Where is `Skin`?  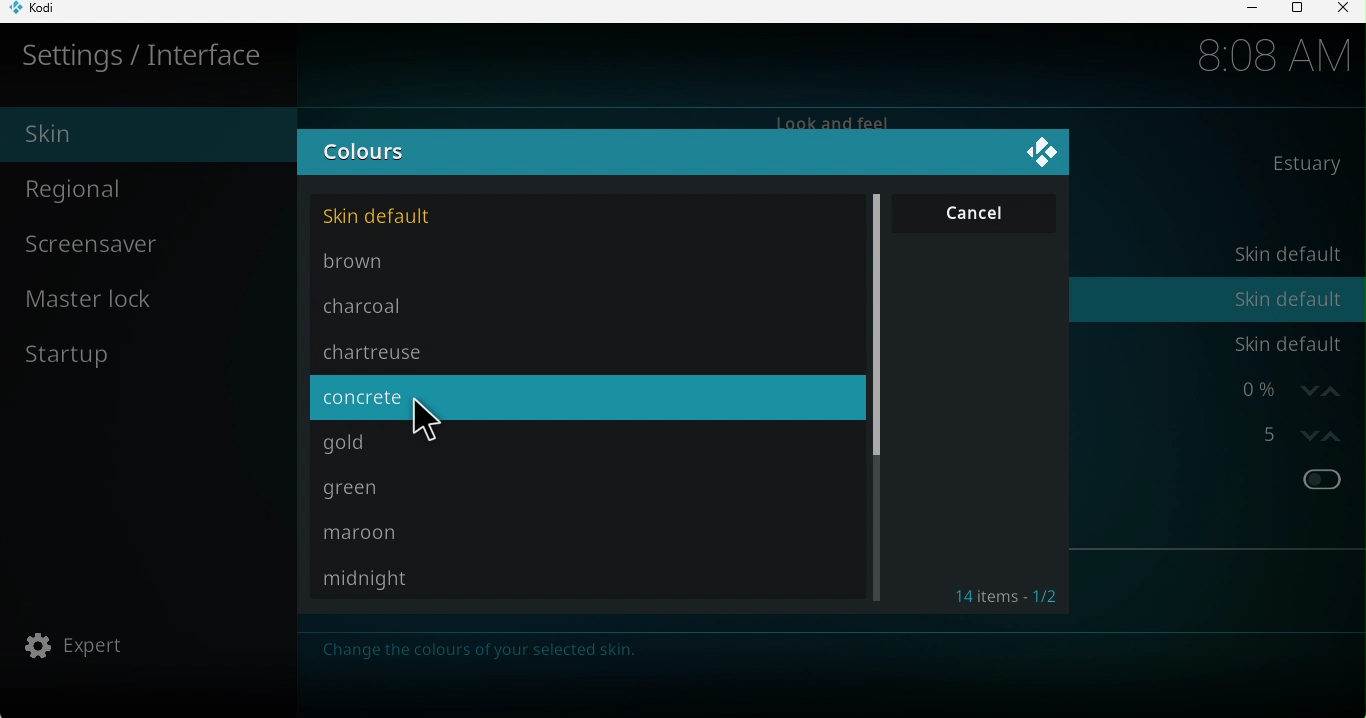 Skin is located at coordinates (1218, 154).